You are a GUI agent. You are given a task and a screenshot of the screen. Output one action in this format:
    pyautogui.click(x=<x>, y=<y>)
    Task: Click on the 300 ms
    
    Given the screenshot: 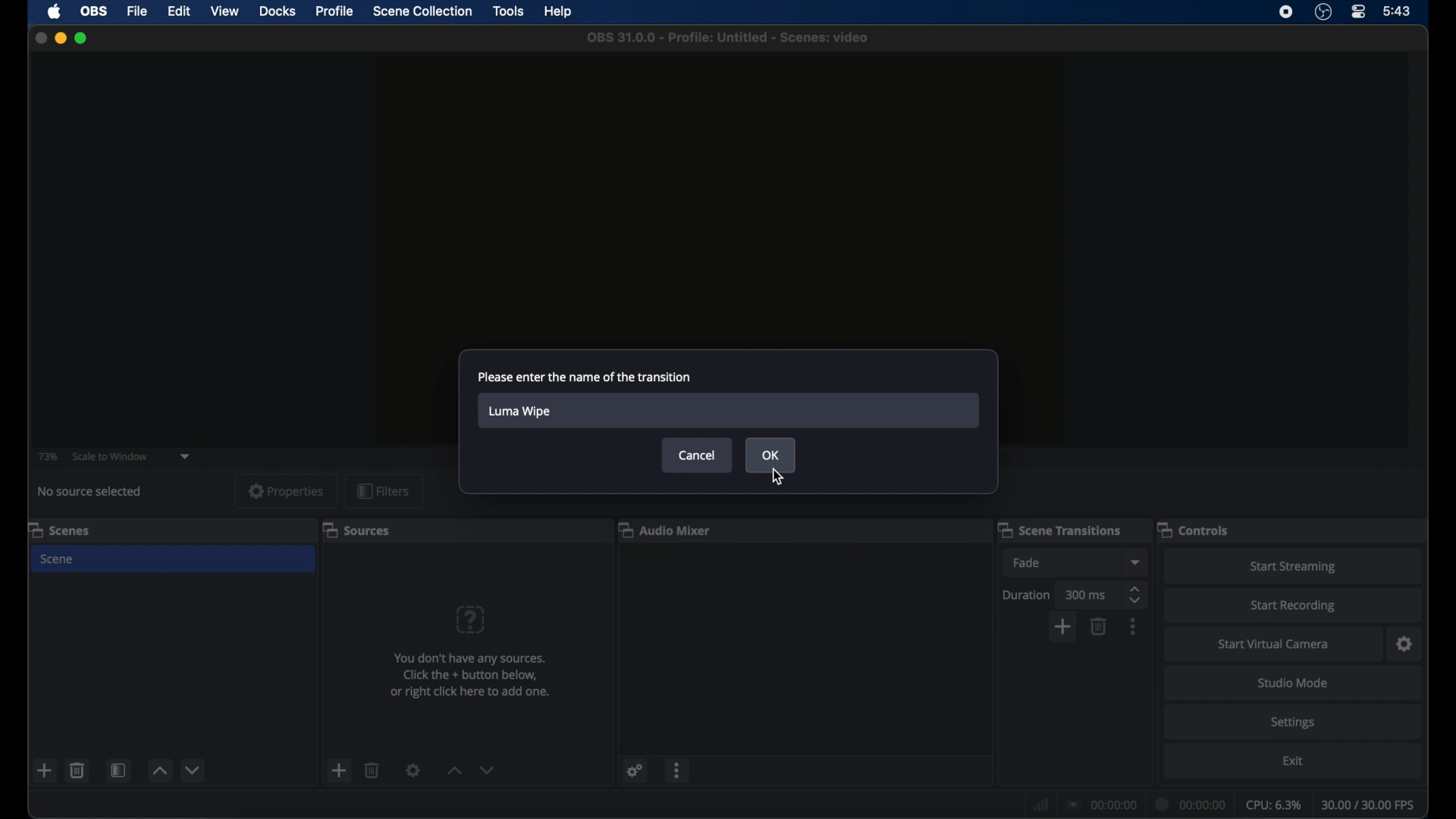 What is the action you would take?
    pyautogui.click(x=1087, y=595)
    